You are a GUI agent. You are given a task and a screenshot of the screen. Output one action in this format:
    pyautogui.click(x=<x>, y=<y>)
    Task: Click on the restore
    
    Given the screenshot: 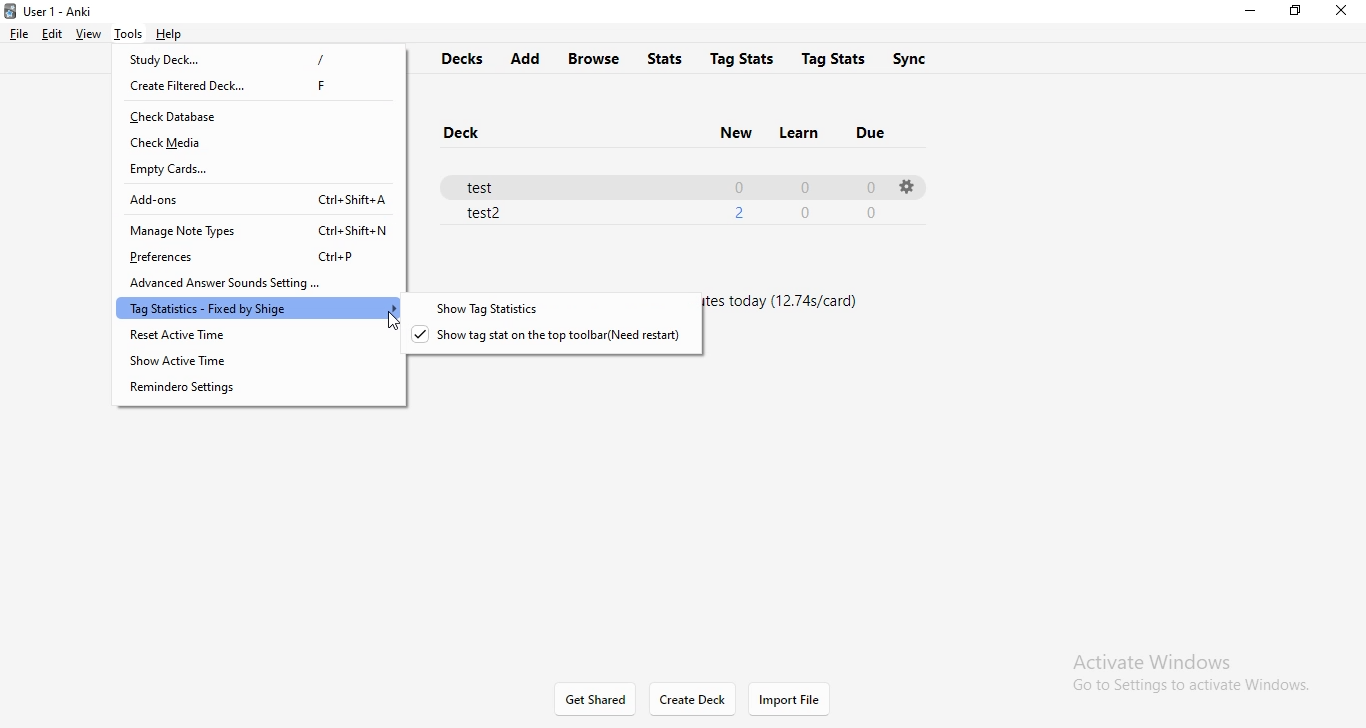 What is the action you would take?
    pyautogui.click(x=1297, y=13)
    